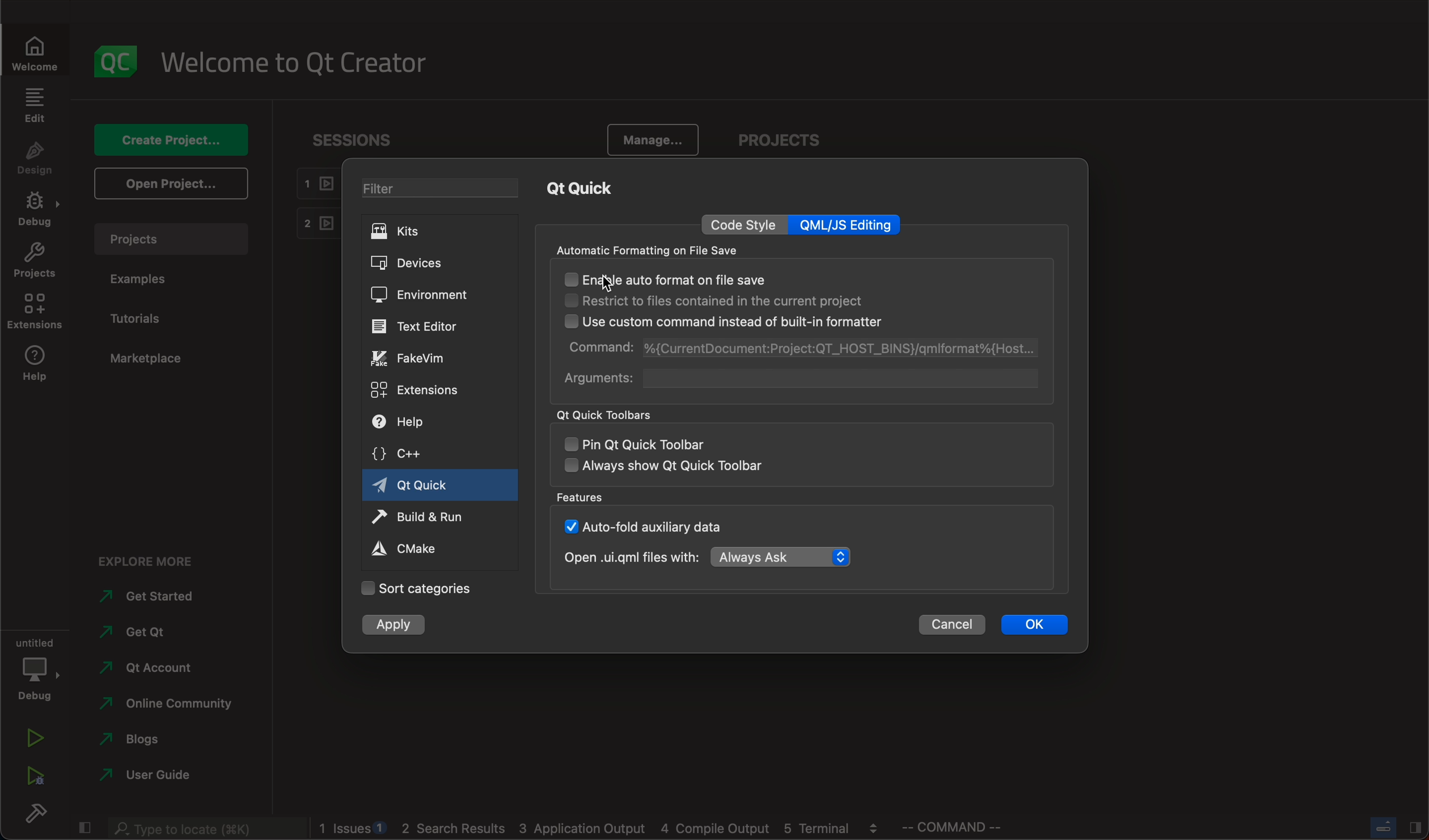 The width and height of the screenshot is (1429, 840). I want to click on extensions, so click(33, 311).